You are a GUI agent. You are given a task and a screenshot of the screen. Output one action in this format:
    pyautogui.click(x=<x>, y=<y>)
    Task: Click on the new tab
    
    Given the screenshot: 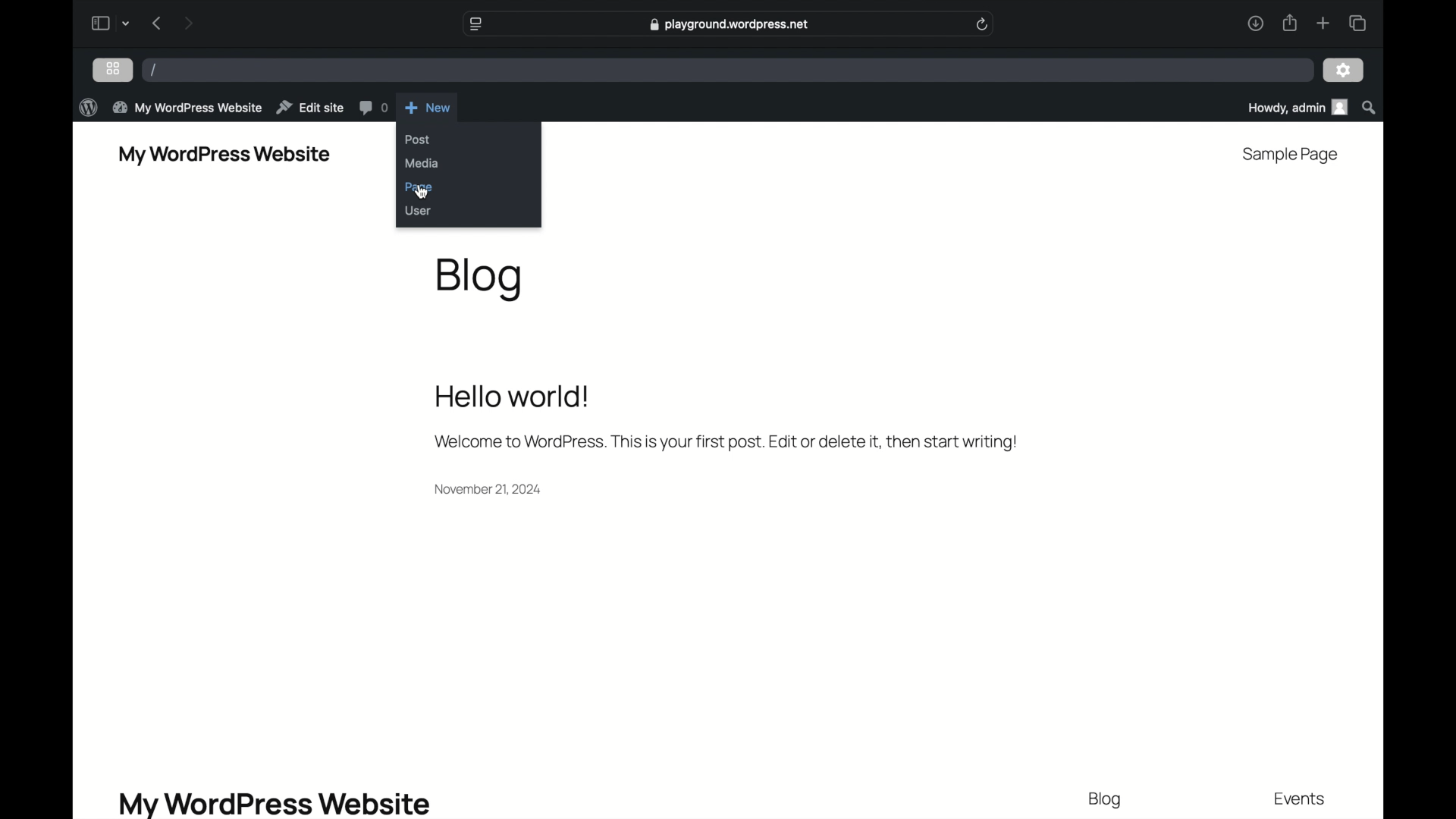 What is the action you would take?
    pyautogui.click(x=1324, y=24)
    